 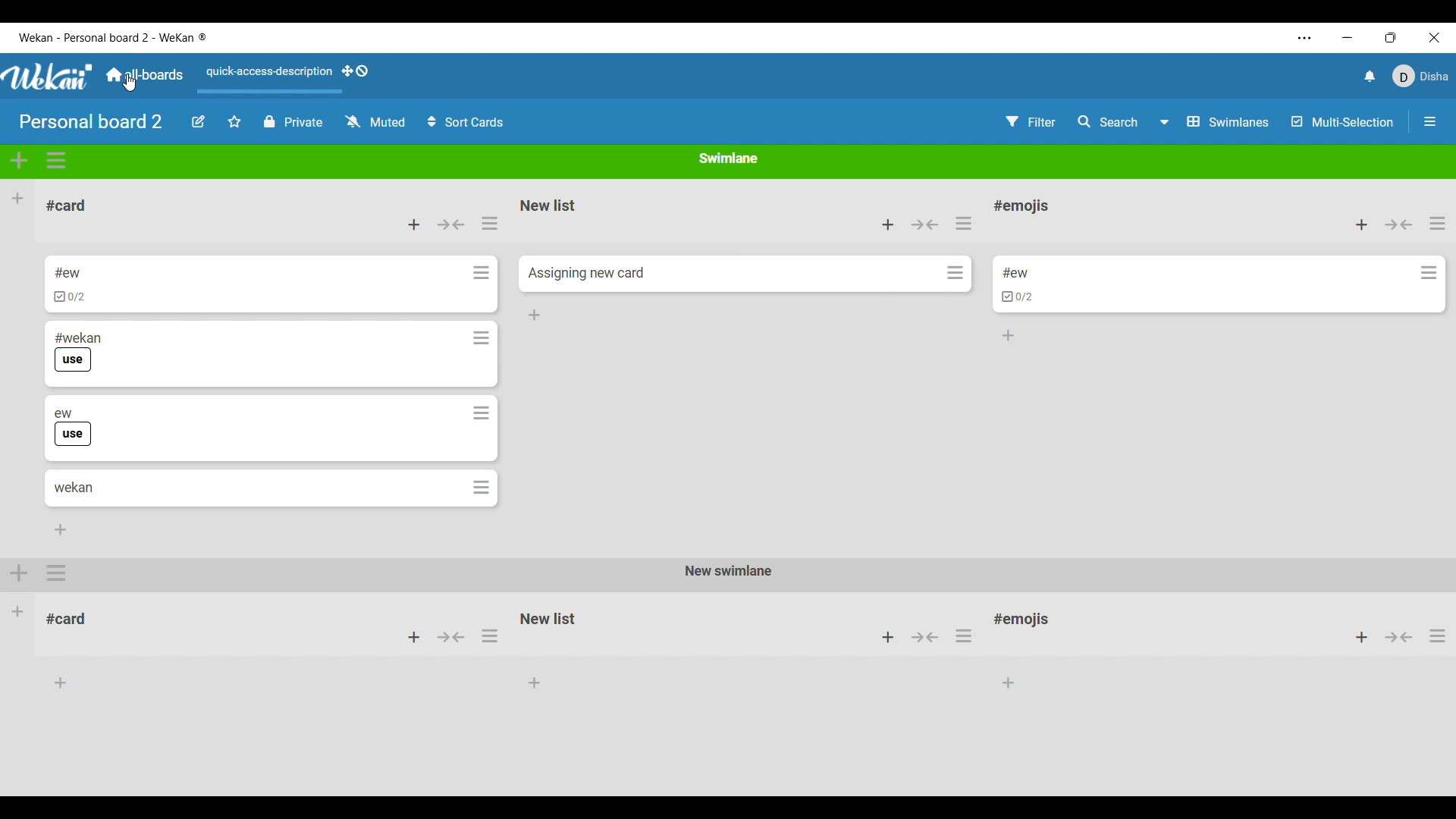 What do you see at coordinates (588, 274) in the screenshot?
I see `Card name` at bounding box center [588, 274].